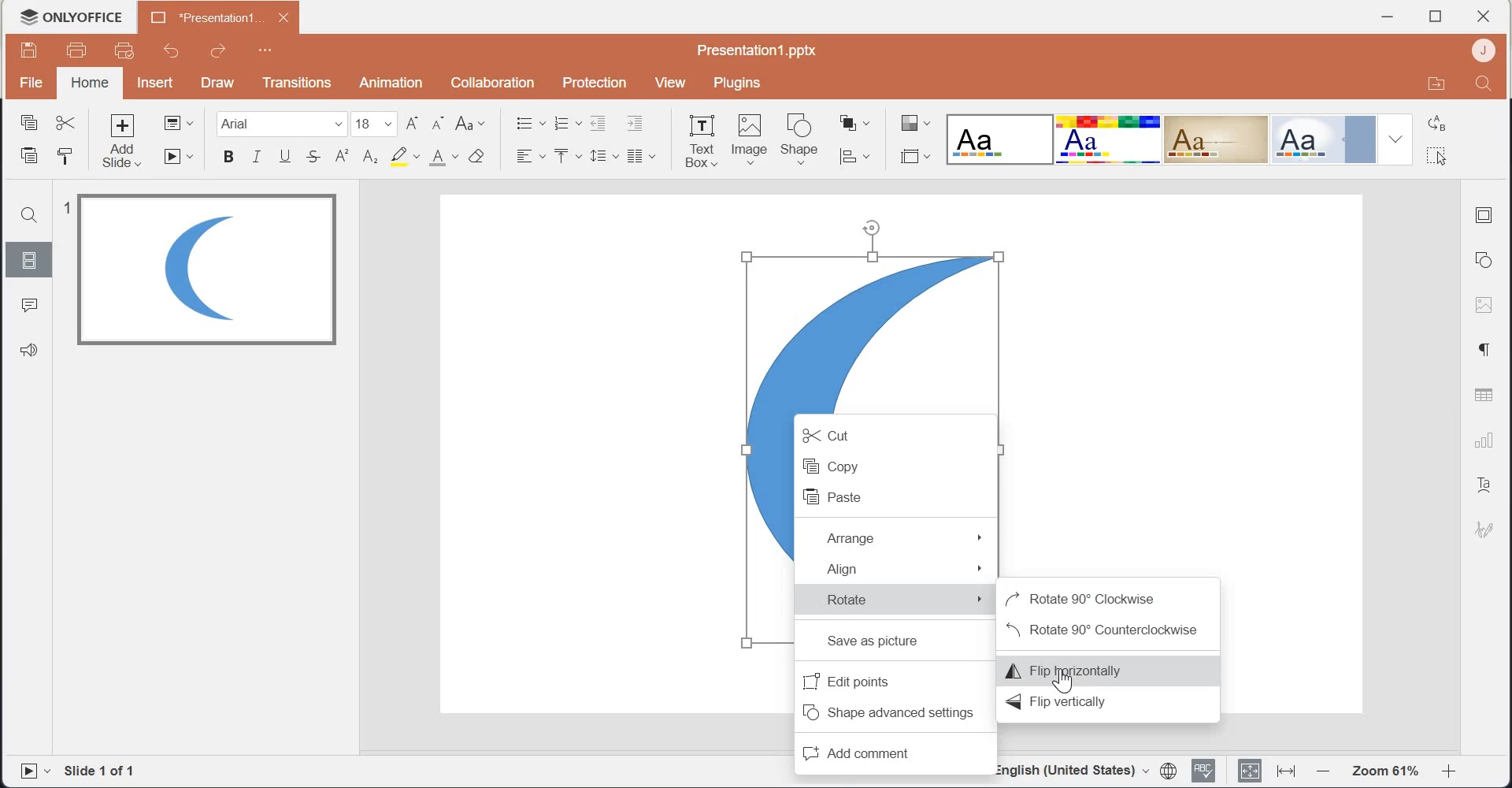 Image resolution: width=1512 pixels, height=788 pixels. What do you see at coordinates (1483, 16) in the screenshot?
I see `close` at bounding box center [1483, 16].